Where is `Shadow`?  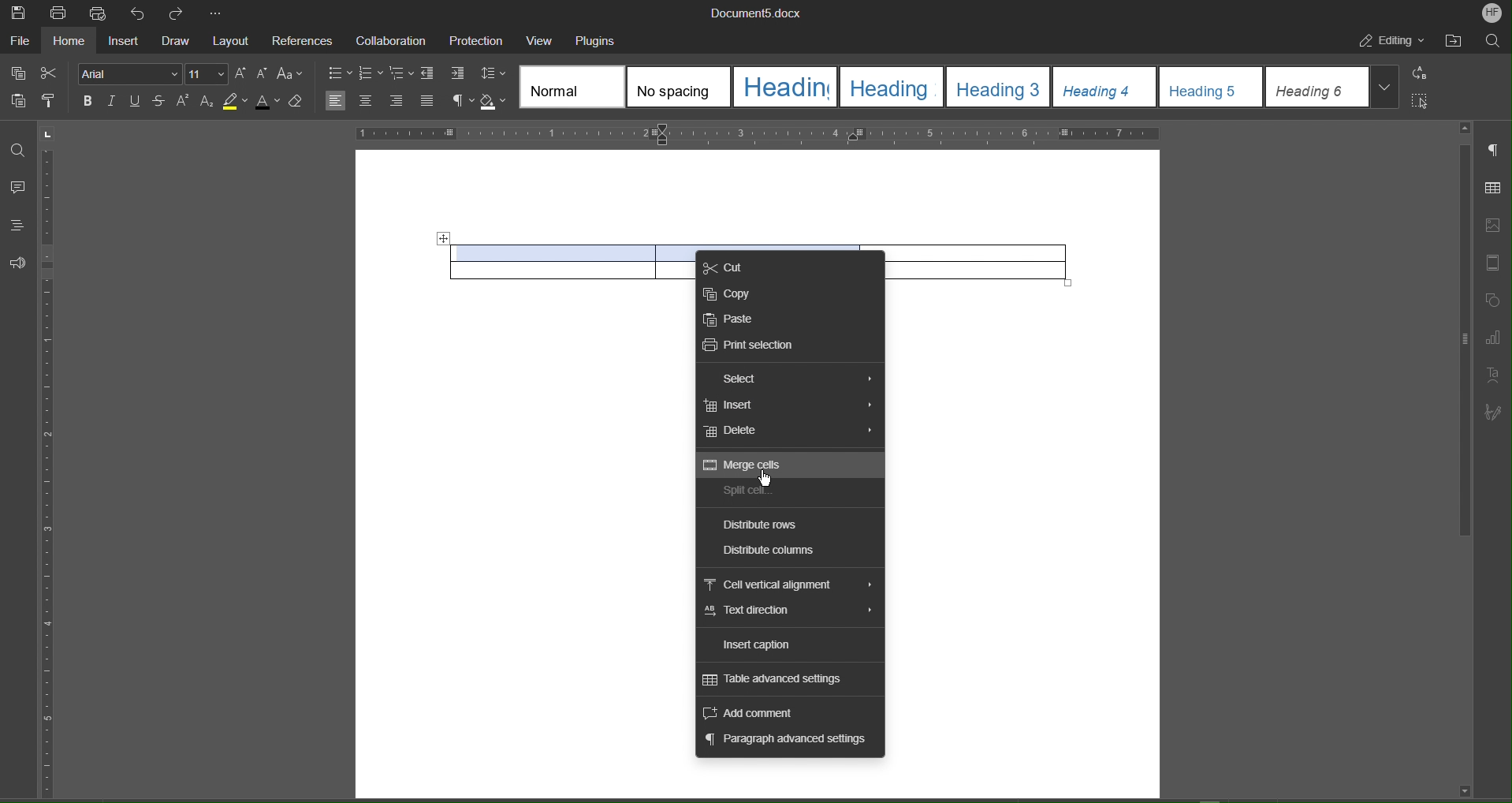
Shadow is located at coordinates (496, 102).